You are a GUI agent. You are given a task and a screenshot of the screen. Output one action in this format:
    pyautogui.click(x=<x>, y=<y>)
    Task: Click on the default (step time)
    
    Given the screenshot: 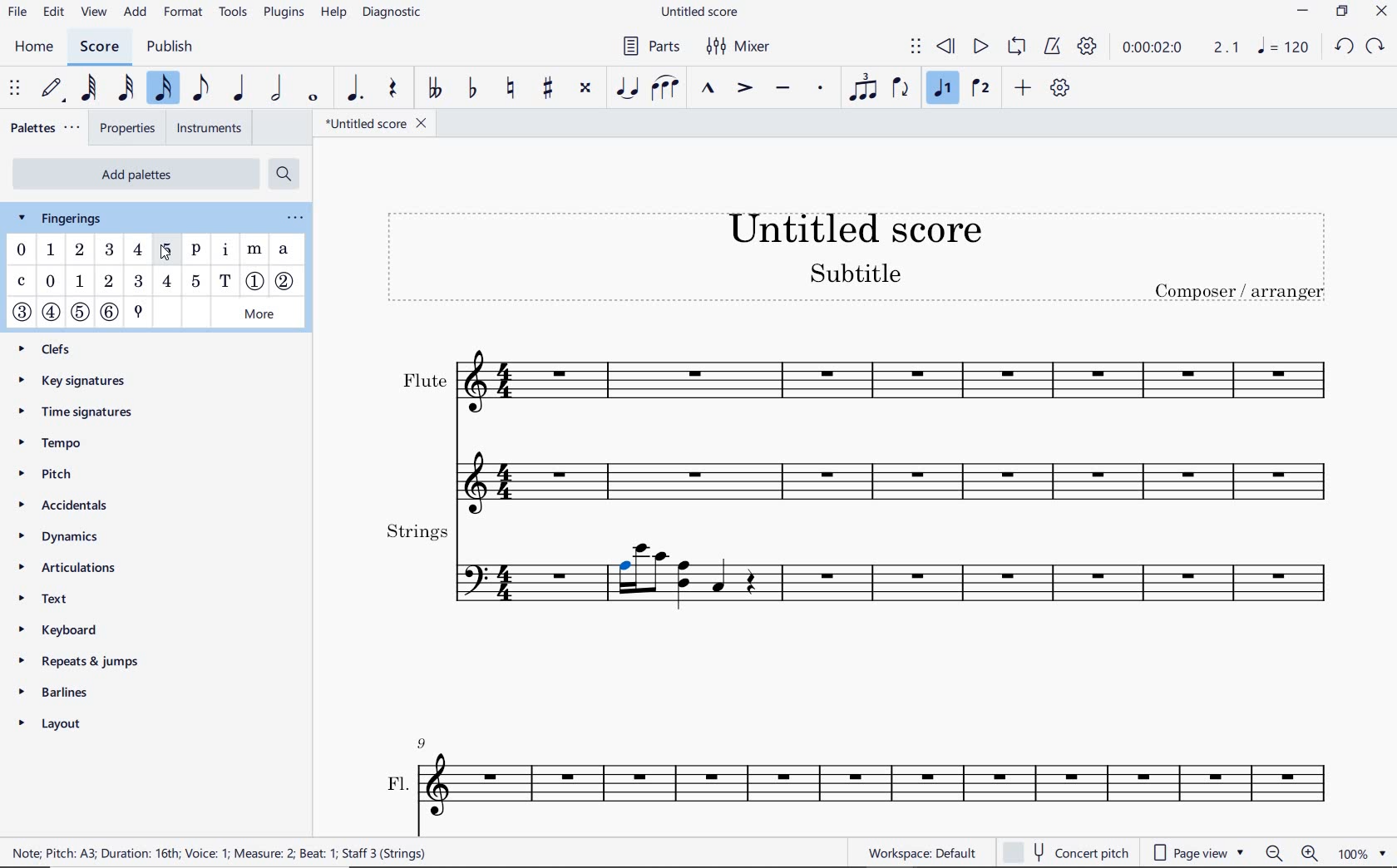 What is the action you would take?
    pyautogui.click(x=53, y=89)
    